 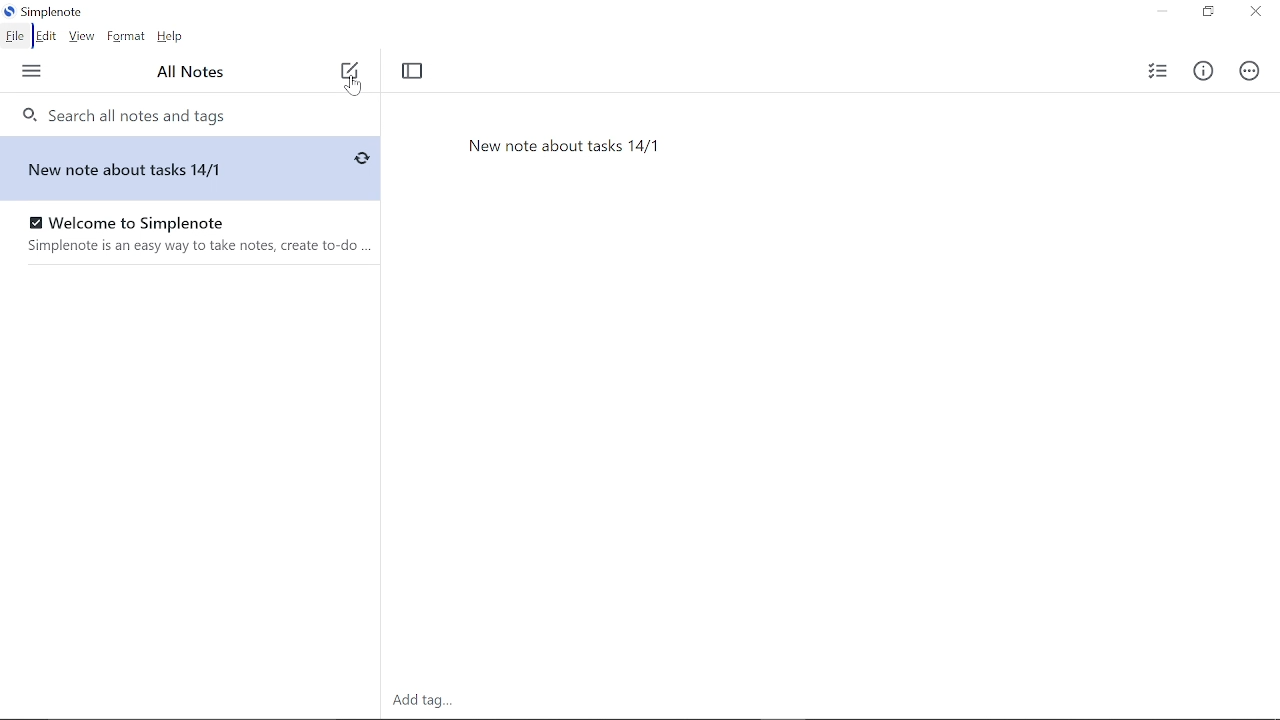 I want to click on Minimize, so click(x=1161, y=12).